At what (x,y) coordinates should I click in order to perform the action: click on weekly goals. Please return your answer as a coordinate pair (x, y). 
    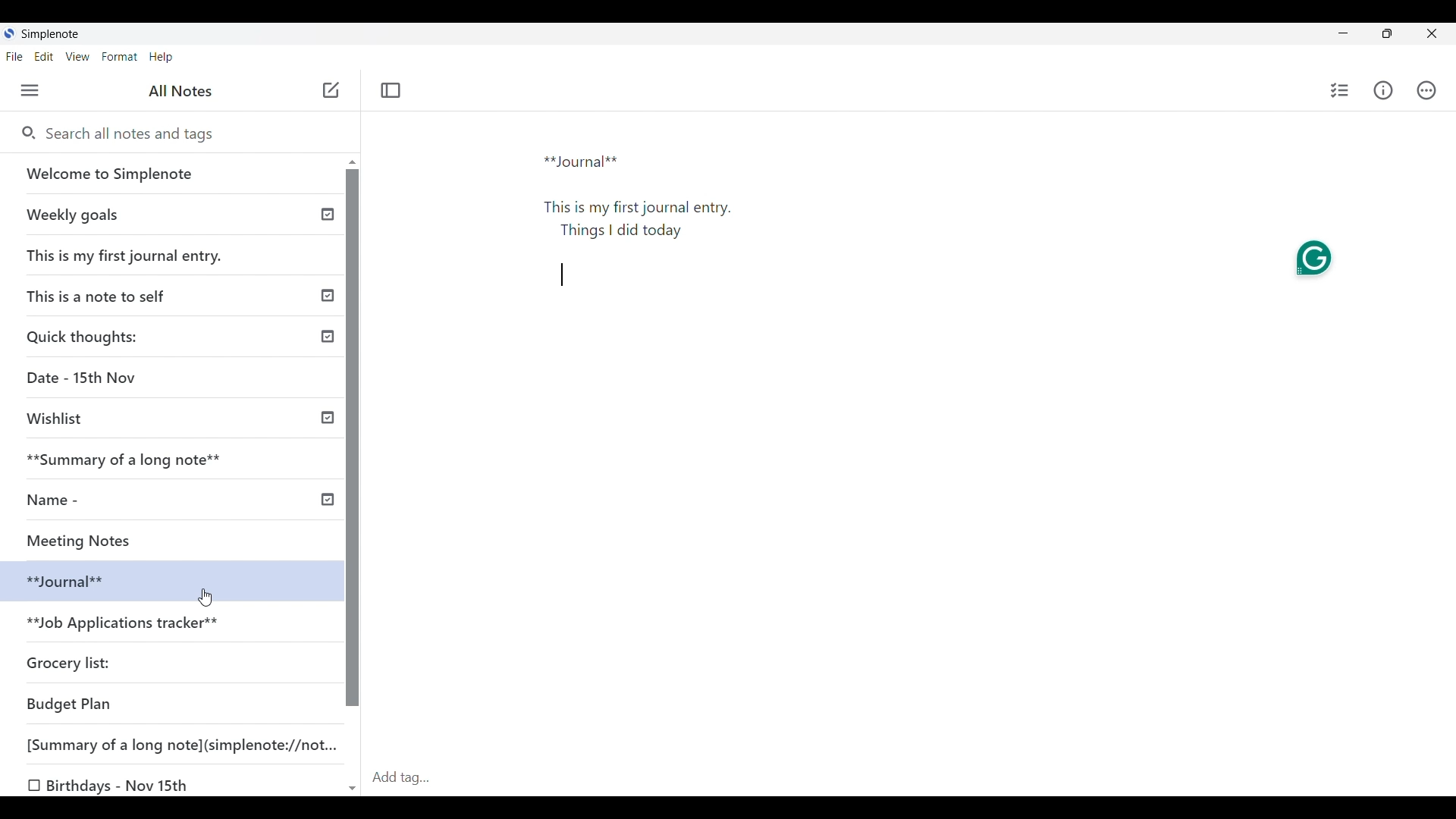
    Looking at the image, I should click on (170, 214).